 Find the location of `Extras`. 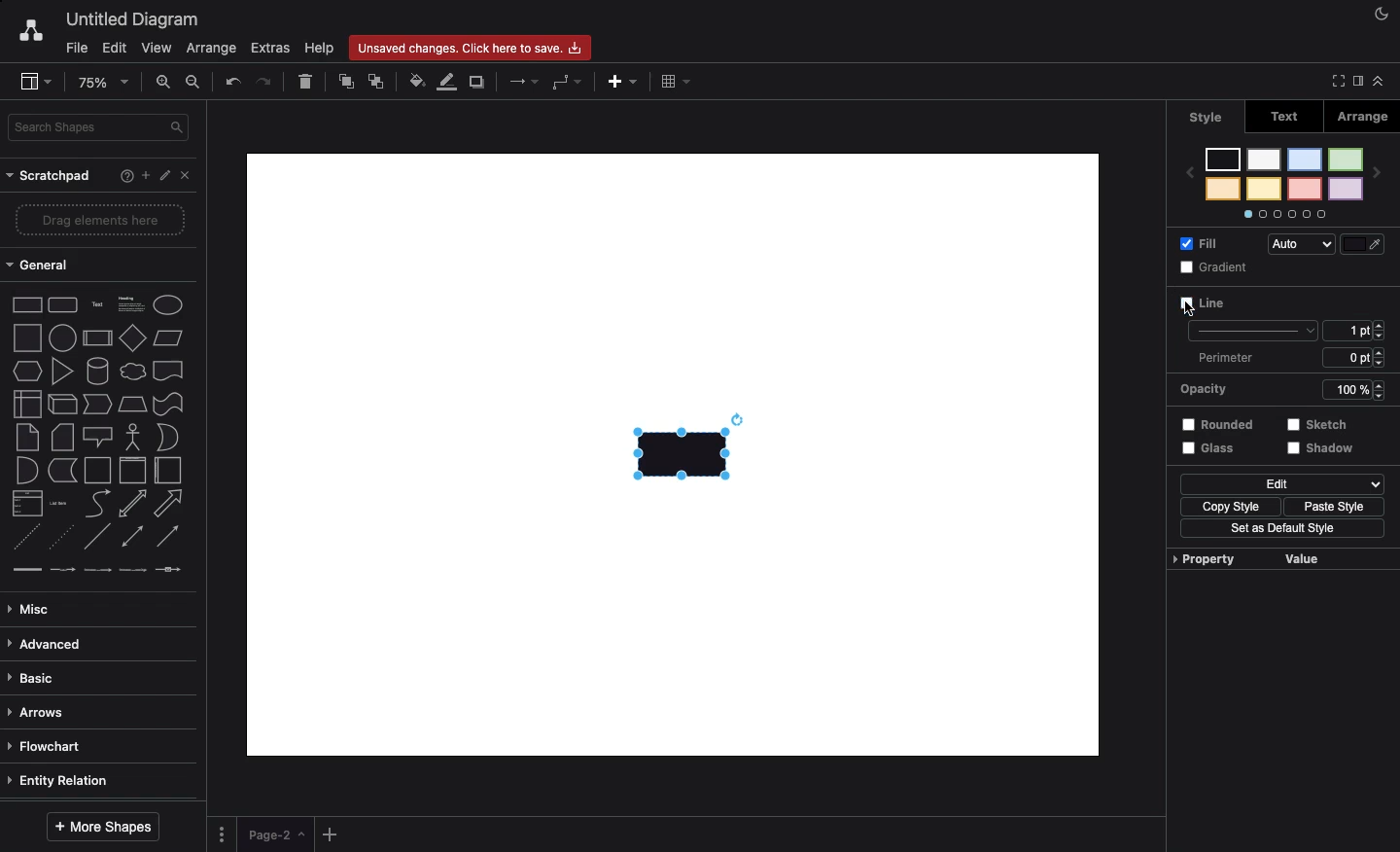

Extras is located at coordinates (268, 48).